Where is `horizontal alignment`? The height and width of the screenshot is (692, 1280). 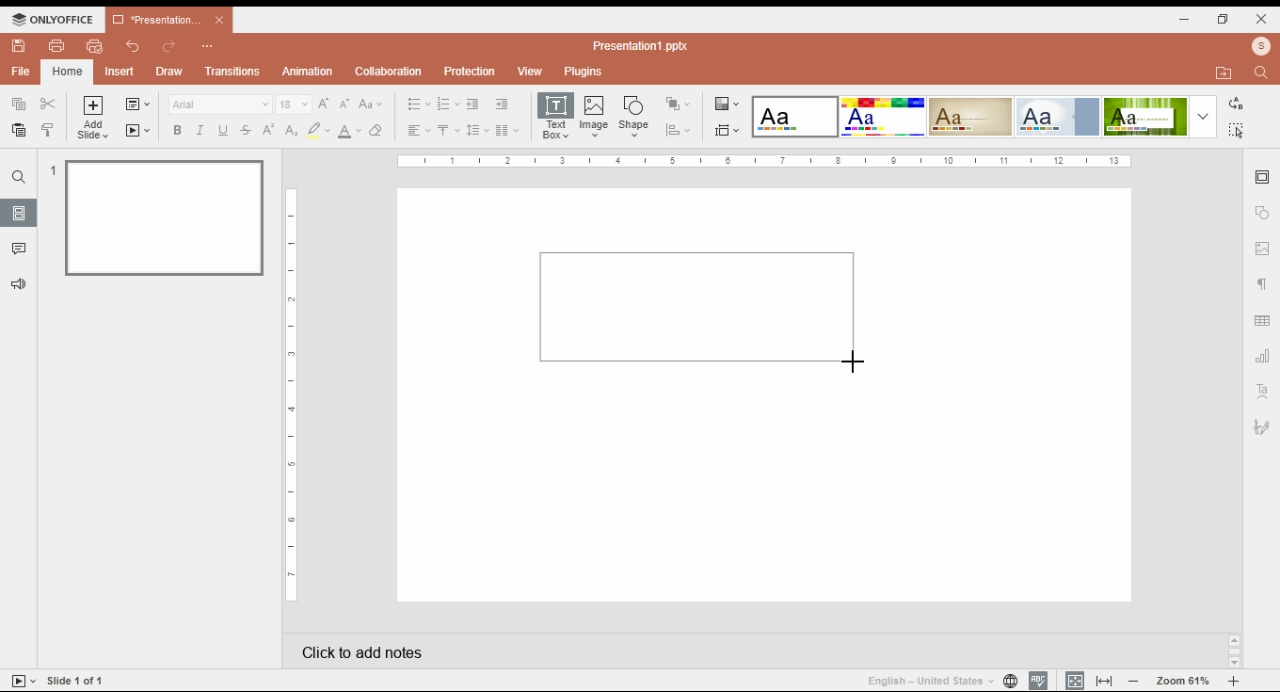
horizontal alignment is located at coordinates (417, 131).